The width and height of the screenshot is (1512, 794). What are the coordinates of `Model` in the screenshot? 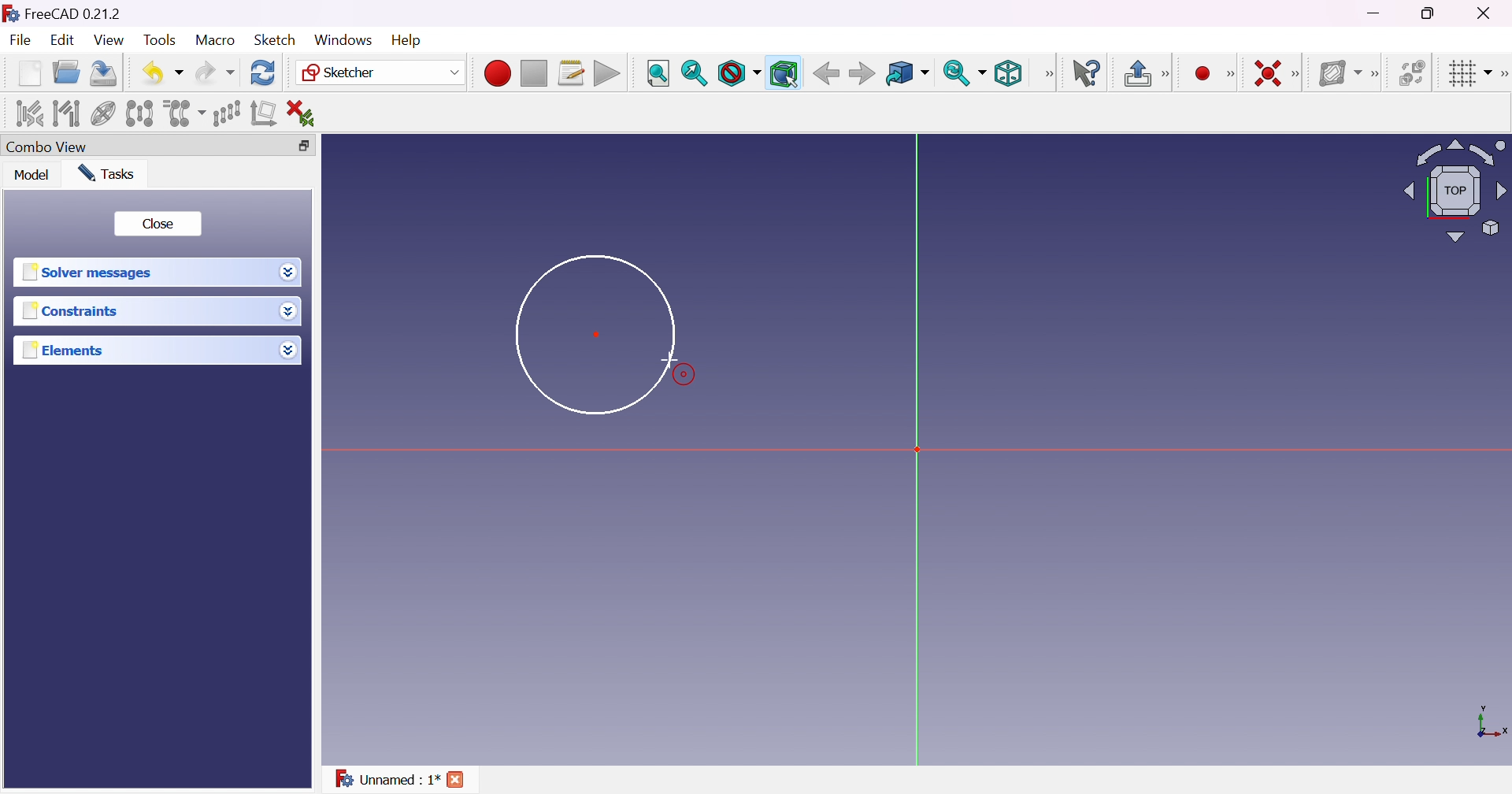 It's located at (33, 176).